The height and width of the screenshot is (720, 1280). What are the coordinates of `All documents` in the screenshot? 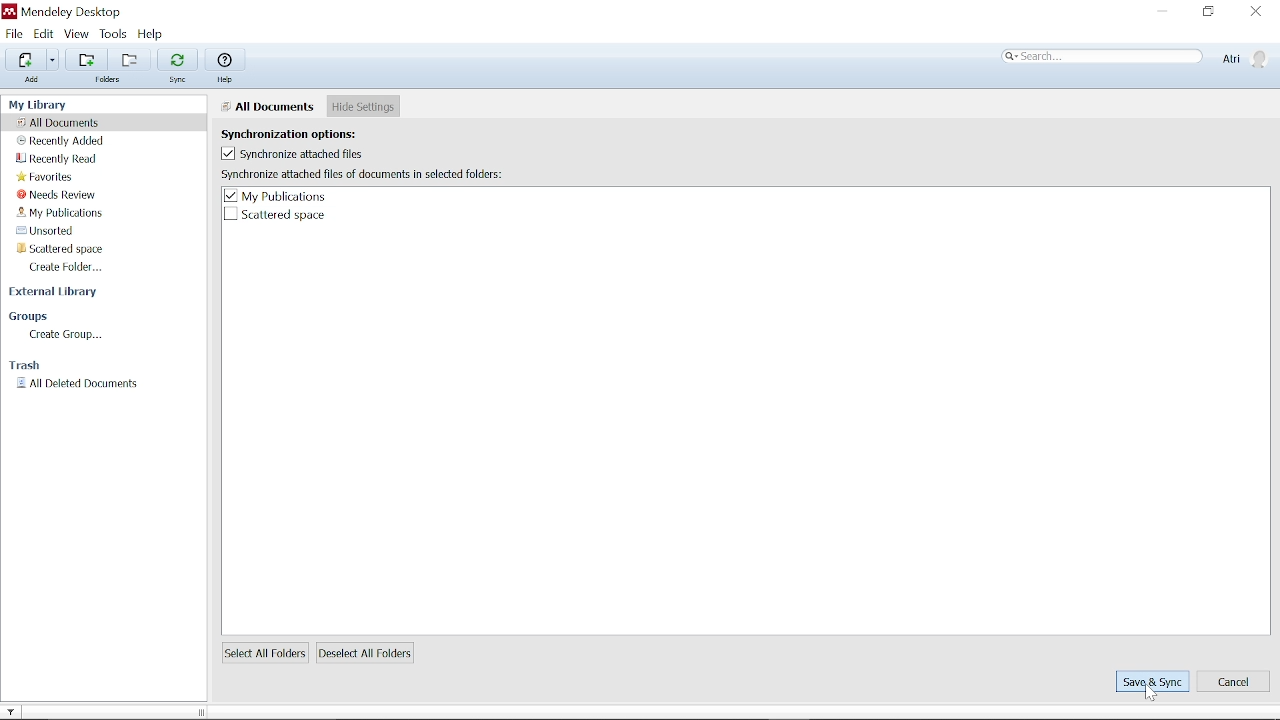 It's located at (65, 122).